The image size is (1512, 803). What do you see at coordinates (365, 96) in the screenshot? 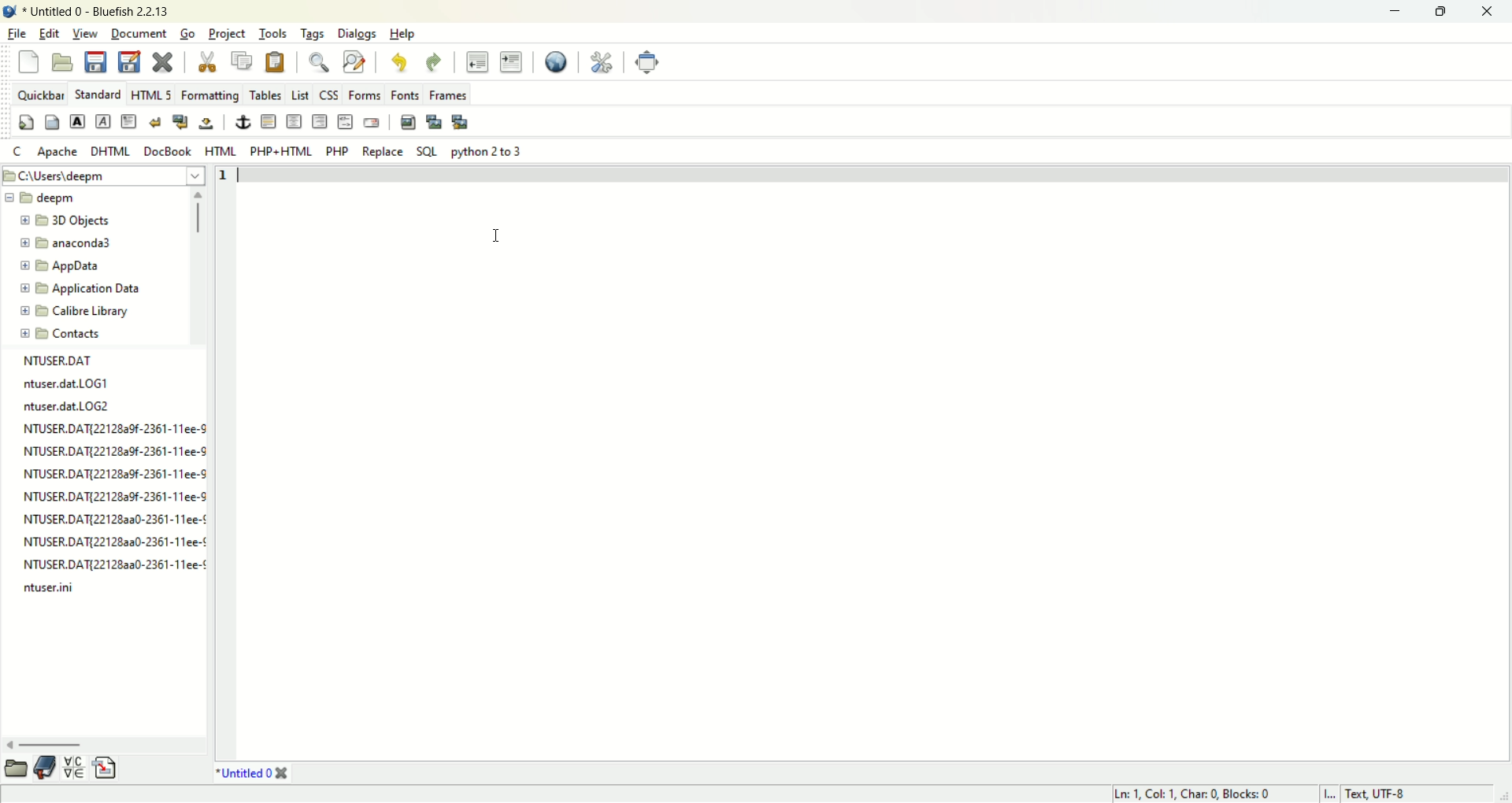
I see `forms` at bounding box center [365, 96].